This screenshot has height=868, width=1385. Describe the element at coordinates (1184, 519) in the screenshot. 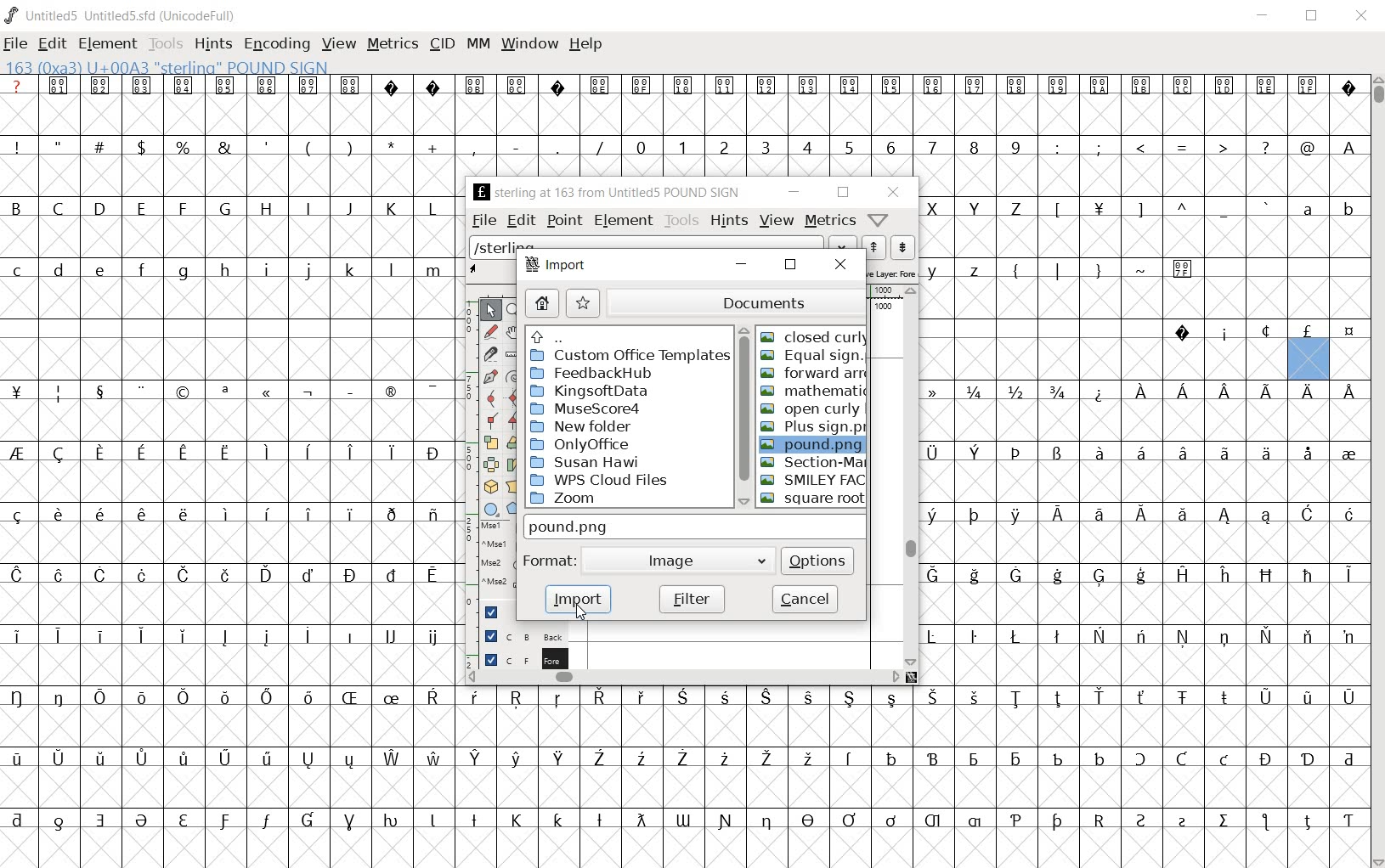

I see `Symbol` at that location.